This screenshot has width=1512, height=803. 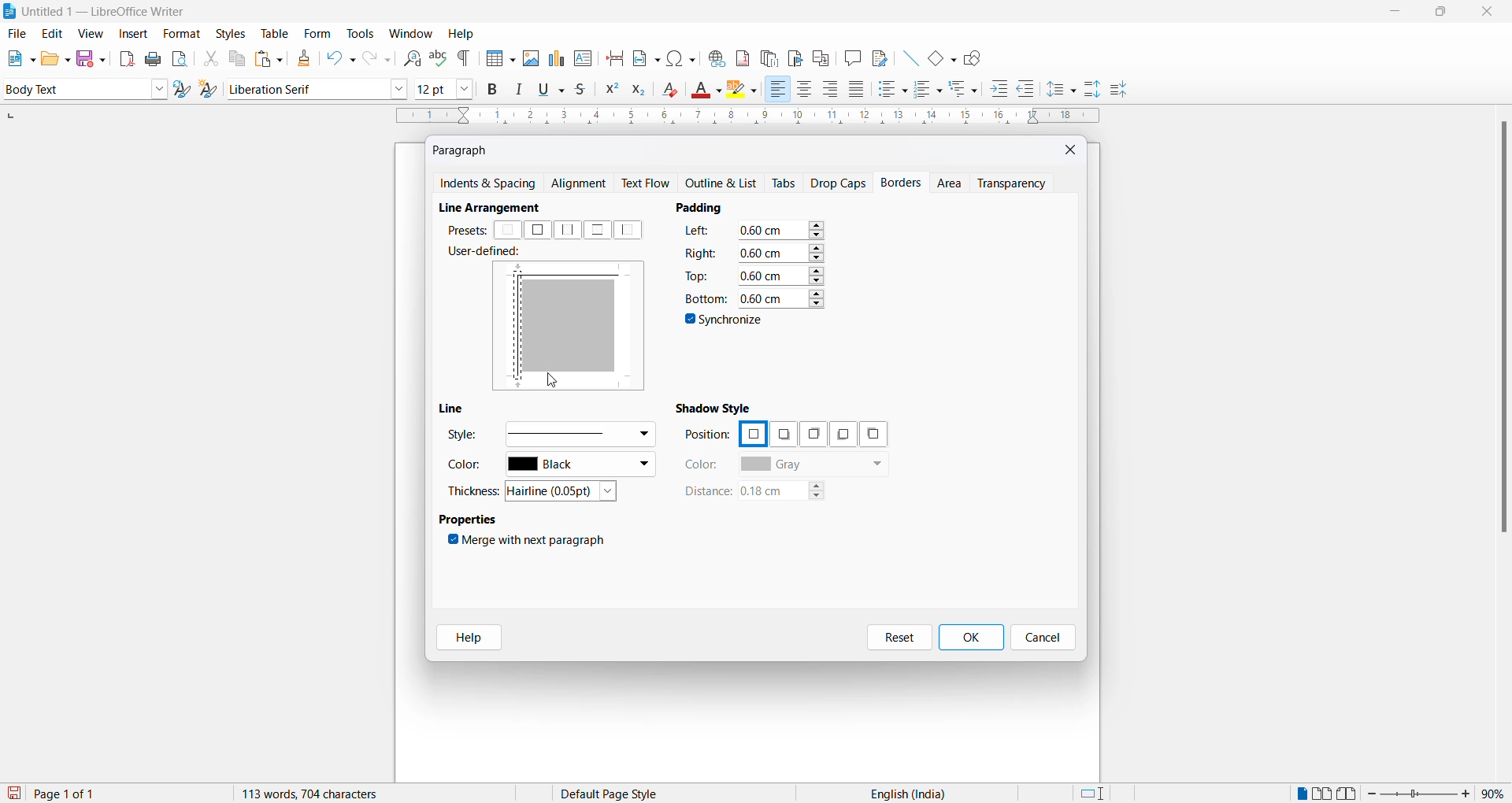 What do you see at coordinates (464, 638) in the screenshot?
I see `help` at bounding box center [464, 638].